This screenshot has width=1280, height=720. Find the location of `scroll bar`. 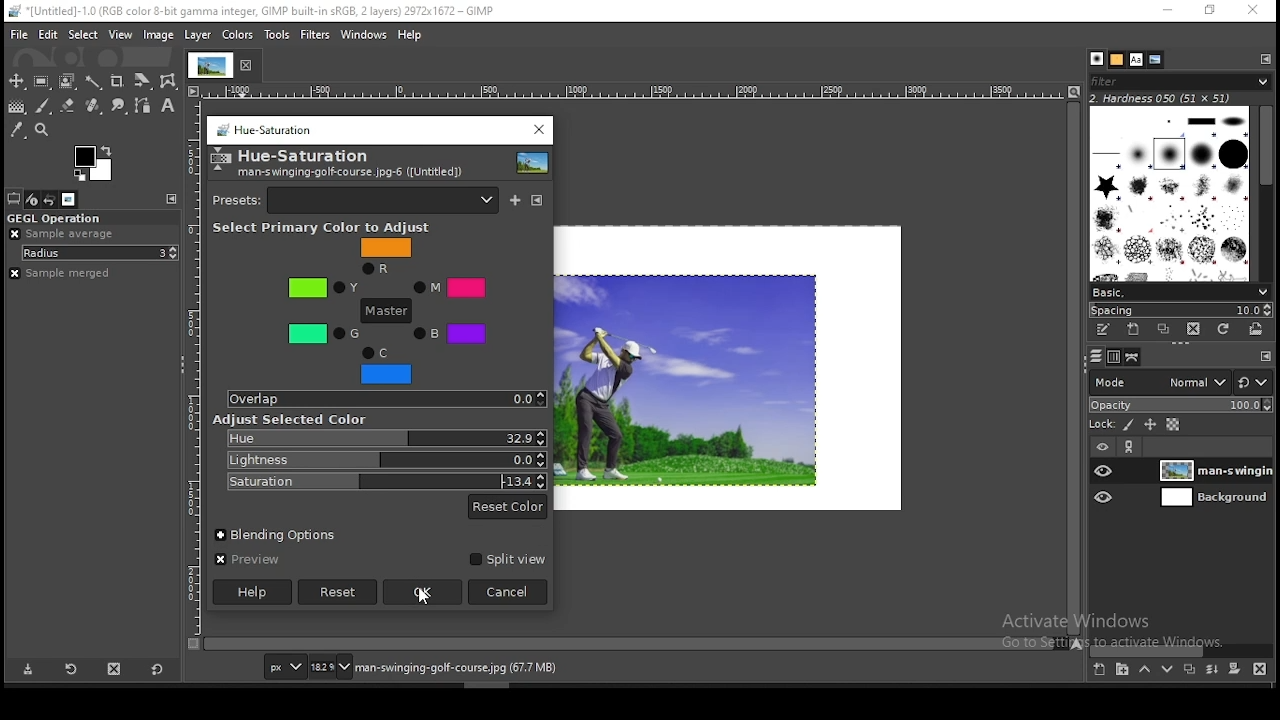

scroll bar is located at coordinates (635, 644).